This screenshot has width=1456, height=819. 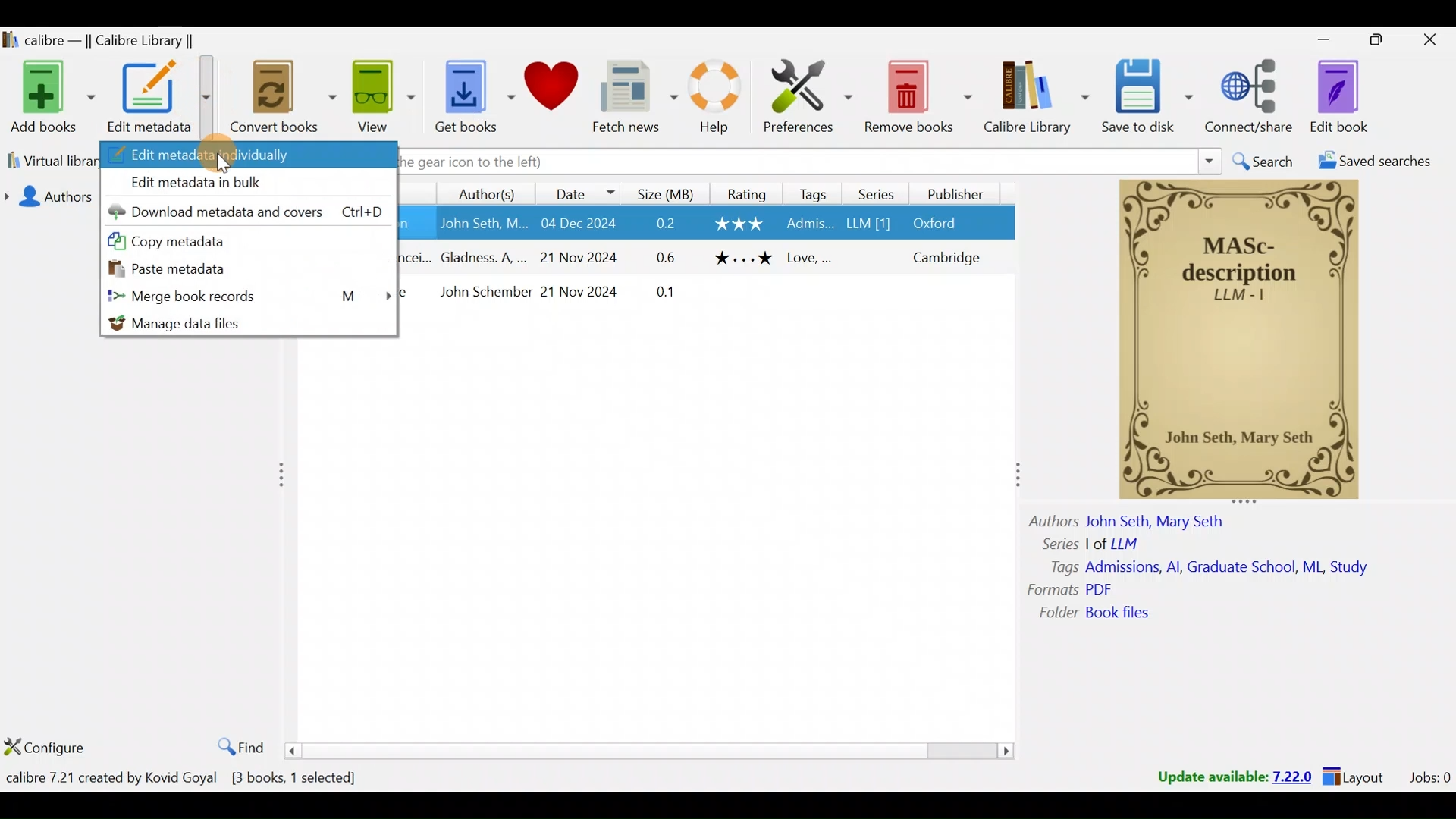 What do you see at coordinates (668, 256) in the screenshot?
I see `` at bounding box center [668, 256].